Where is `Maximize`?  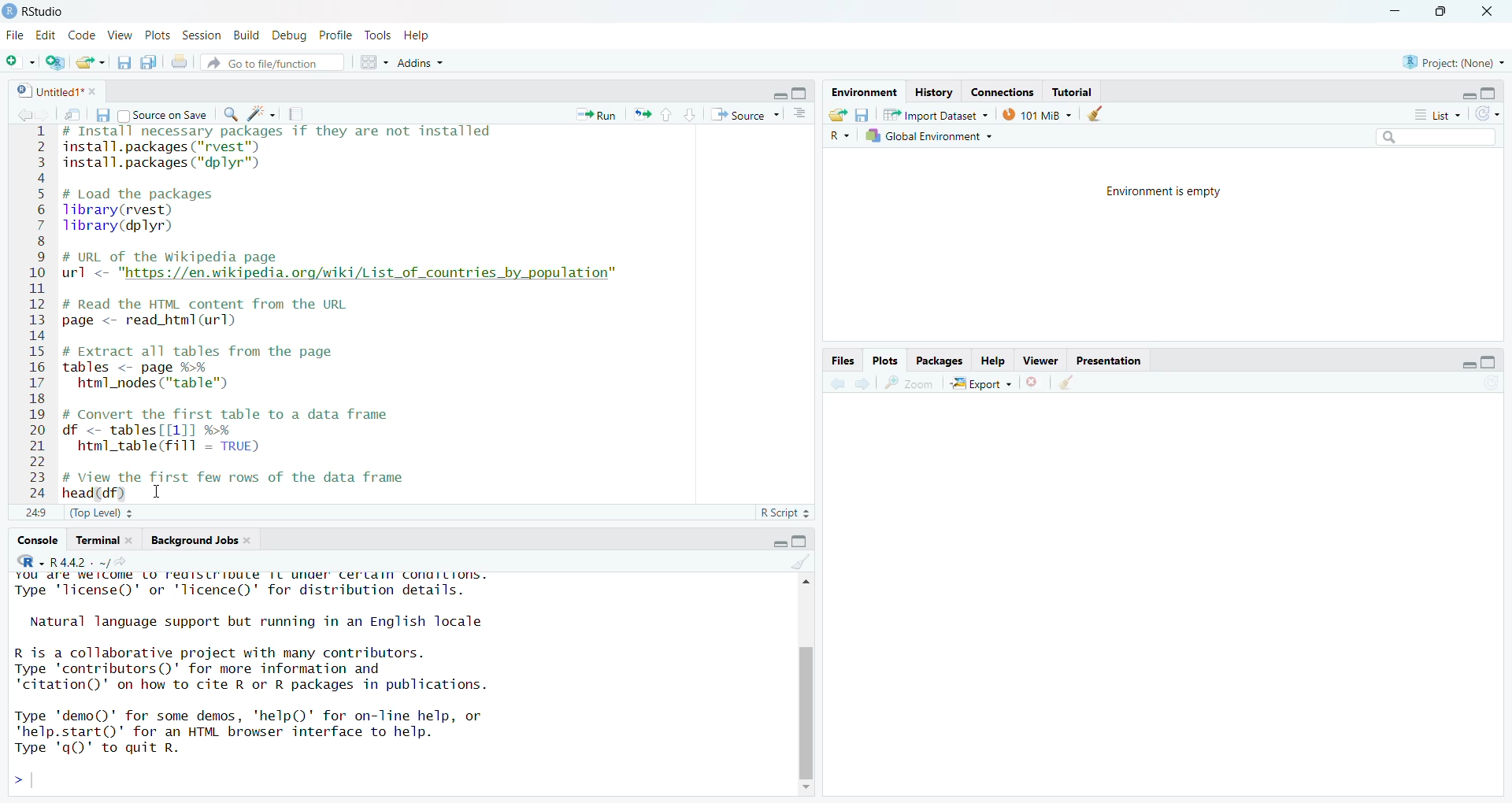
Maximize is located at coordinates (799, 542).